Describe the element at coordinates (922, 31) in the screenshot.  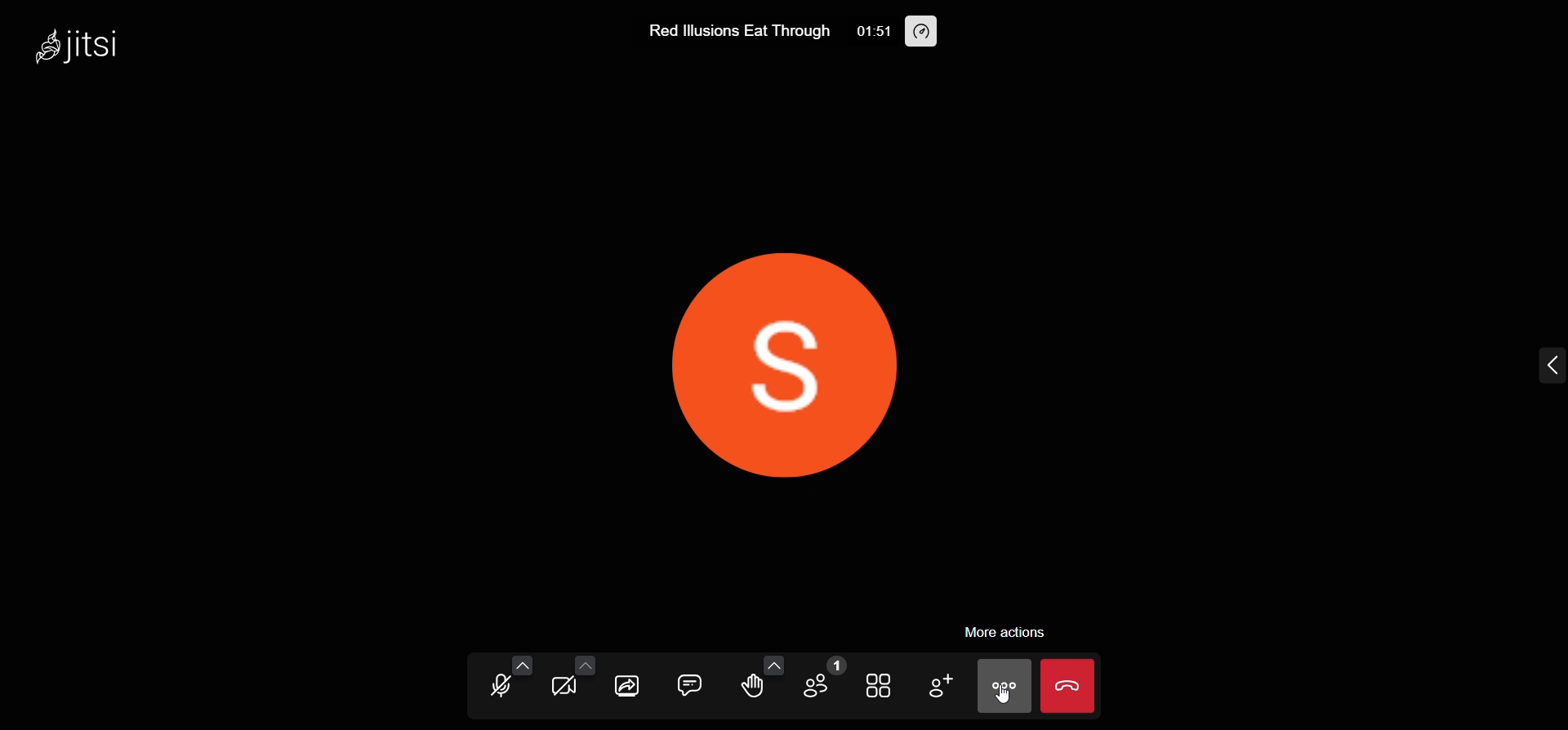
I see `performance setting` at that location.